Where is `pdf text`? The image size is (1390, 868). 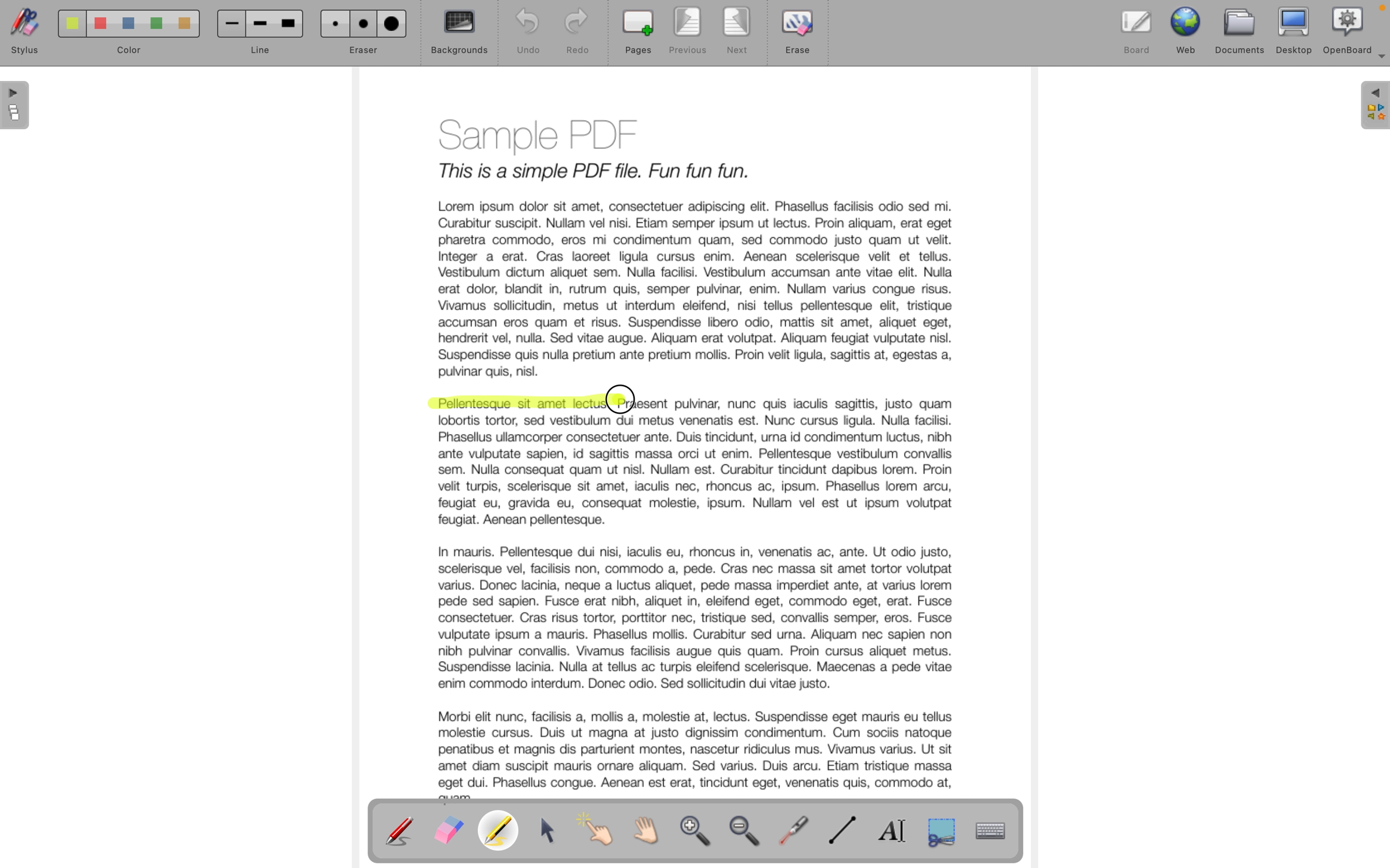
pdf text is located at coordinates (813, 403).